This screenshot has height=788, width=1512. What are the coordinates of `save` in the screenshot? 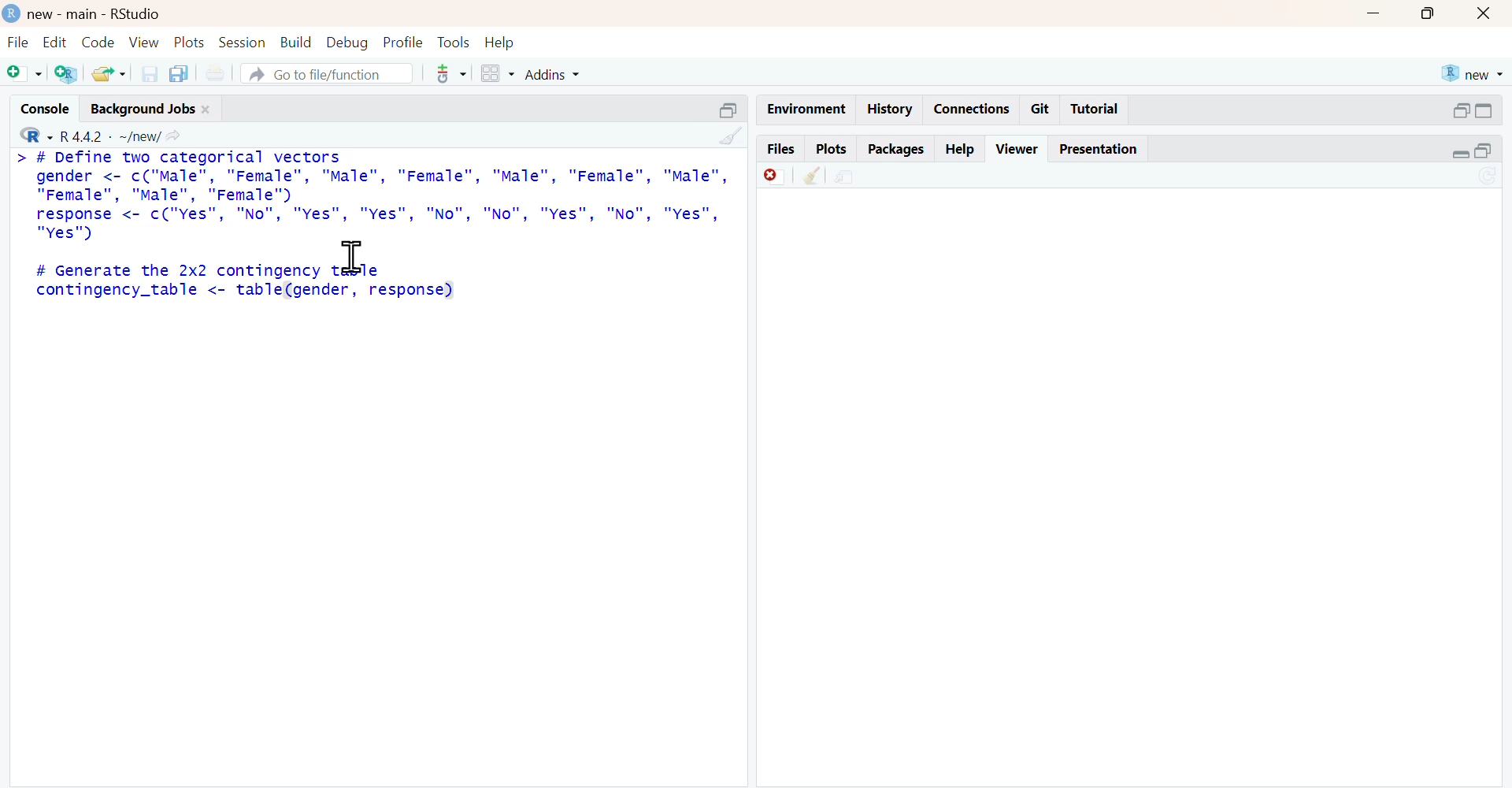 It's located at (150, 74).